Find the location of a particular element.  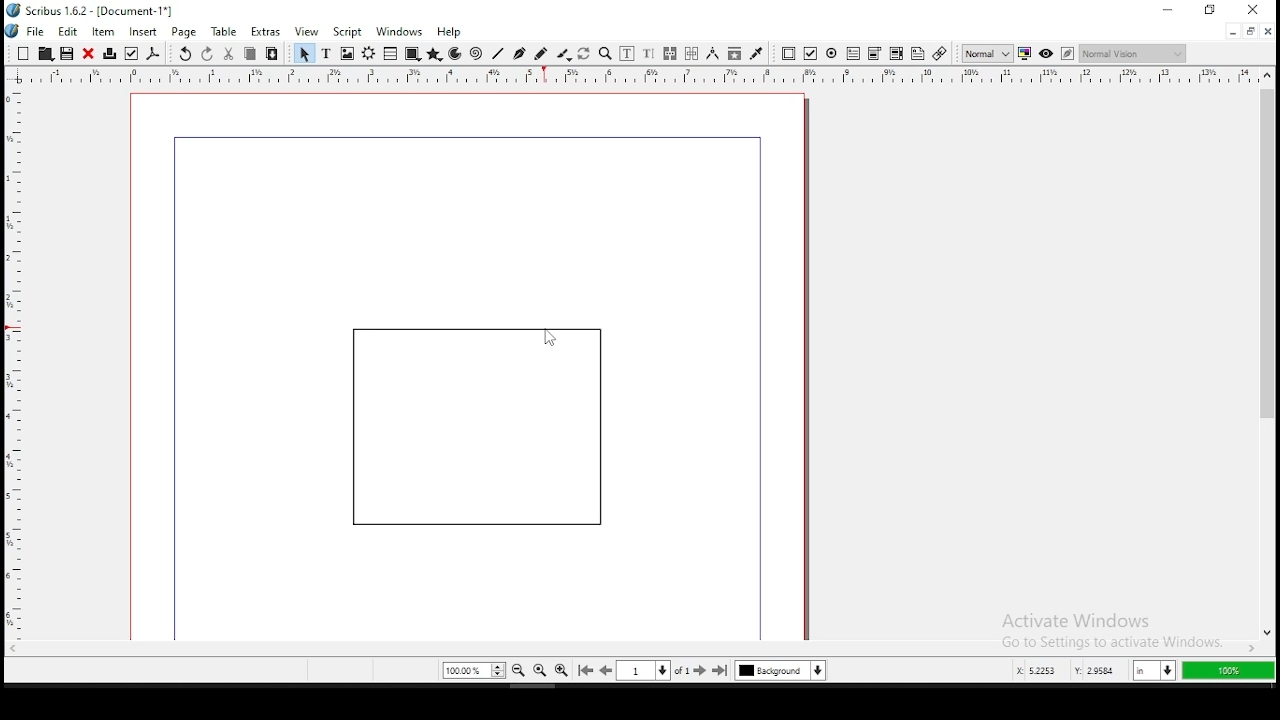

scroll bar is located at coordinates (1266, 354).